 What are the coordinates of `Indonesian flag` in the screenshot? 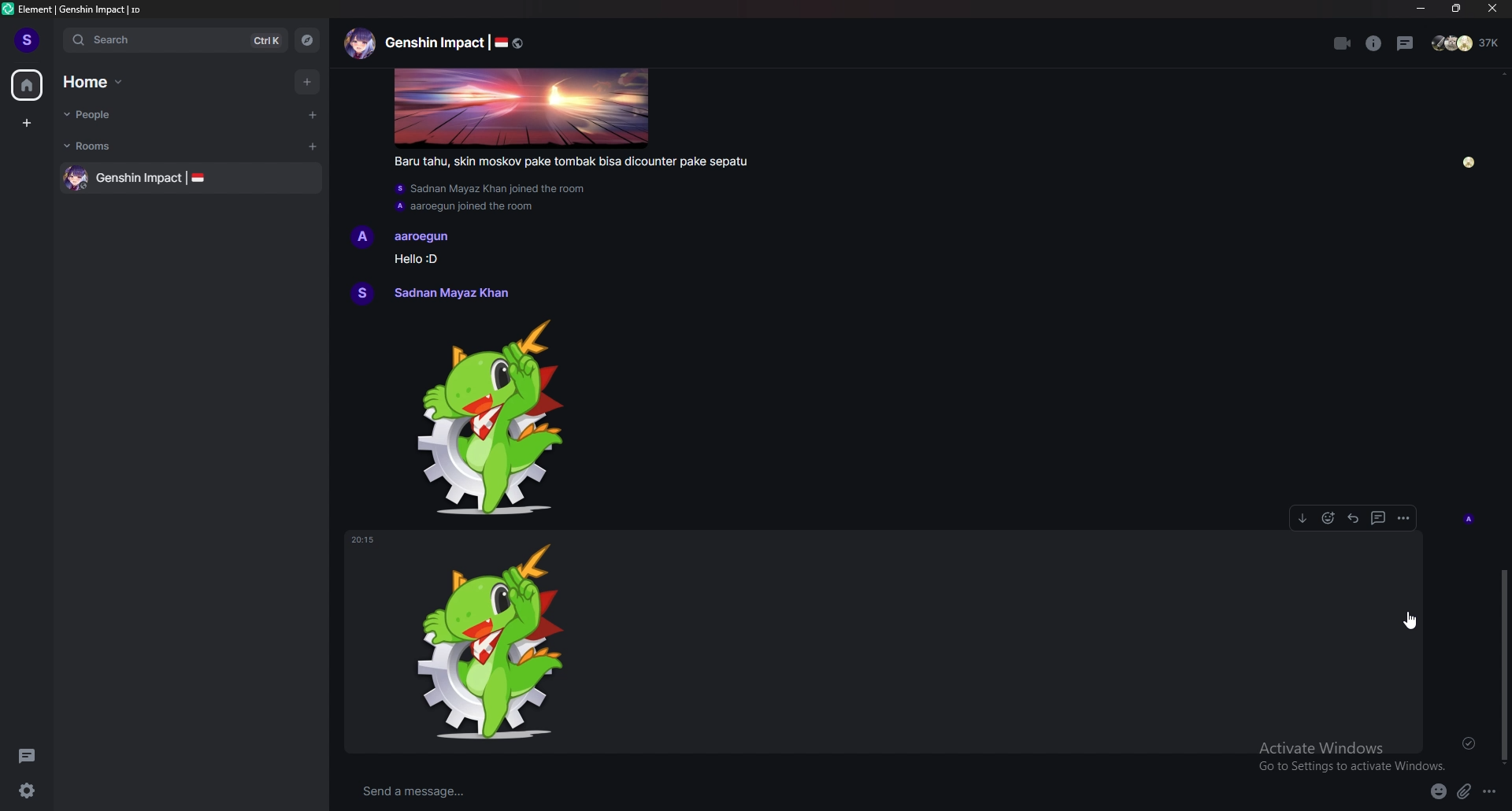 It's located at (501, 43).